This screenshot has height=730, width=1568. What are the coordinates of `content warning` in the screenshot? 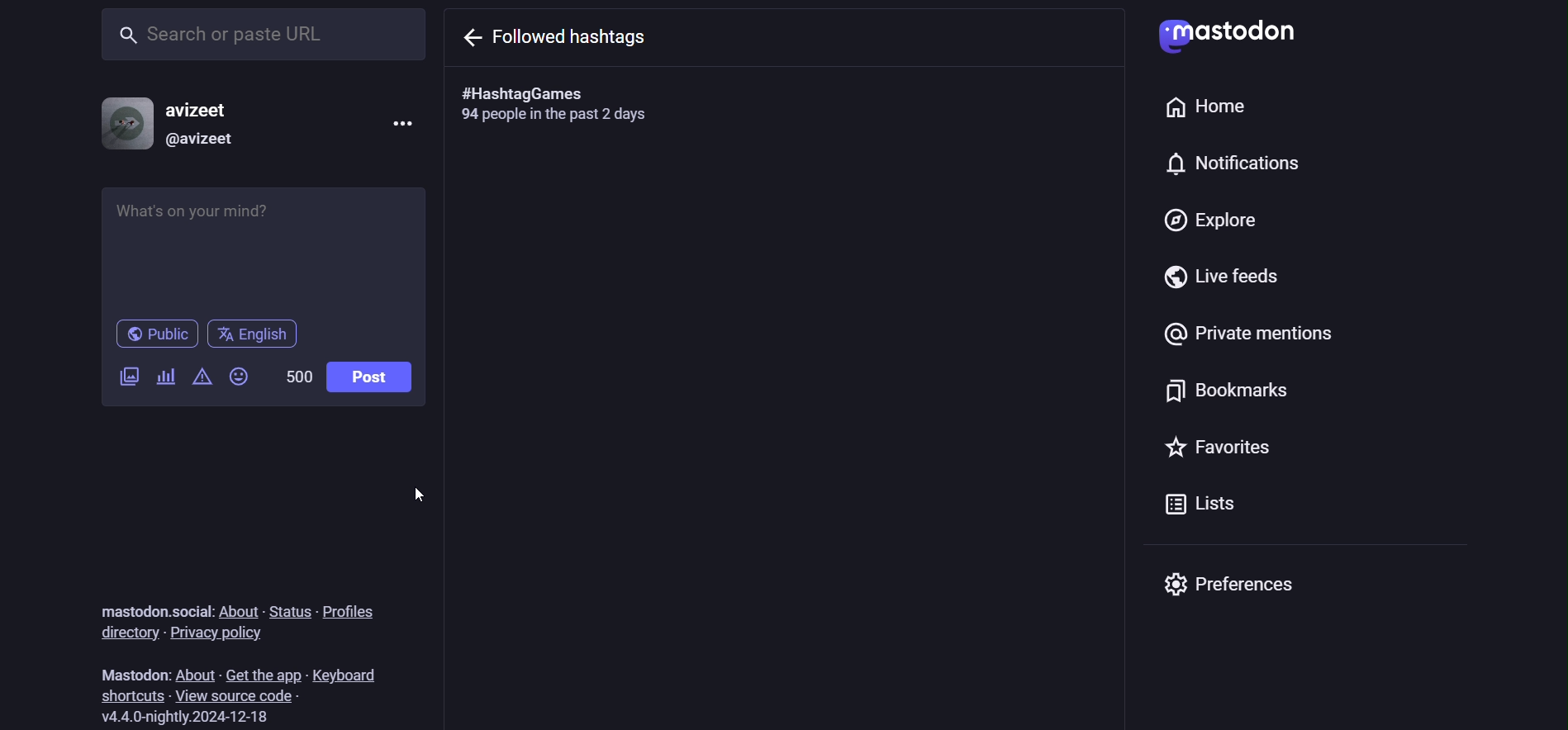 It's located at (200, 382).